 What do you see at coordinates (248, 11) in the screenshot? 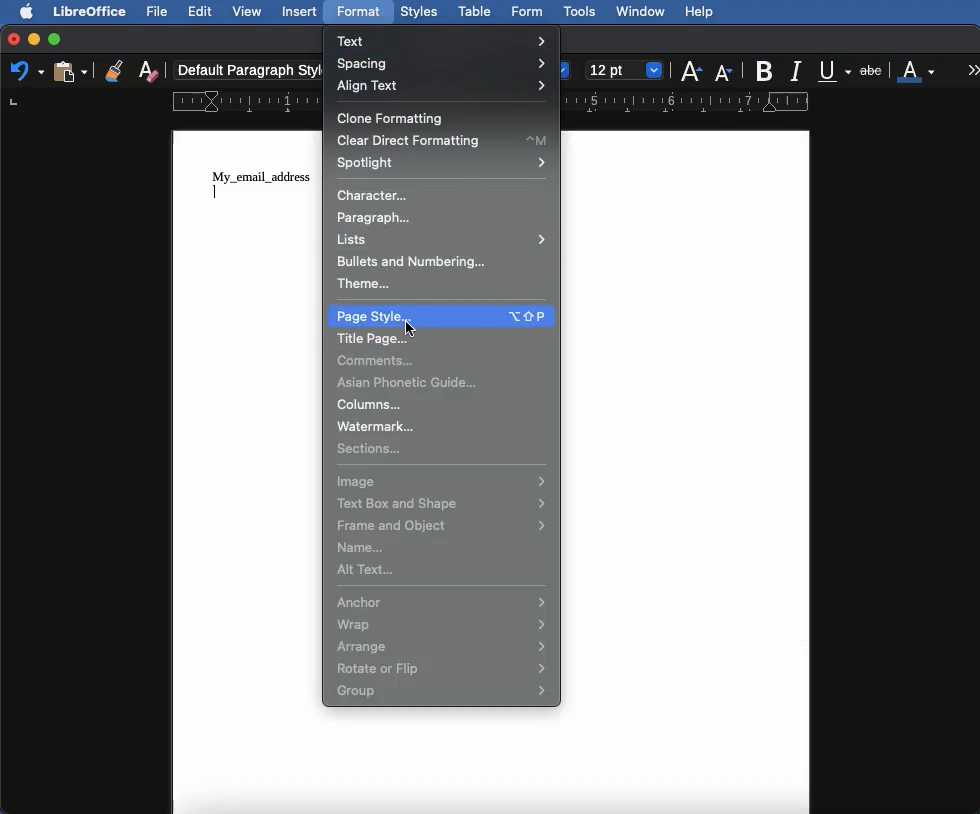
I see `View` at bounding box center [248, 11].